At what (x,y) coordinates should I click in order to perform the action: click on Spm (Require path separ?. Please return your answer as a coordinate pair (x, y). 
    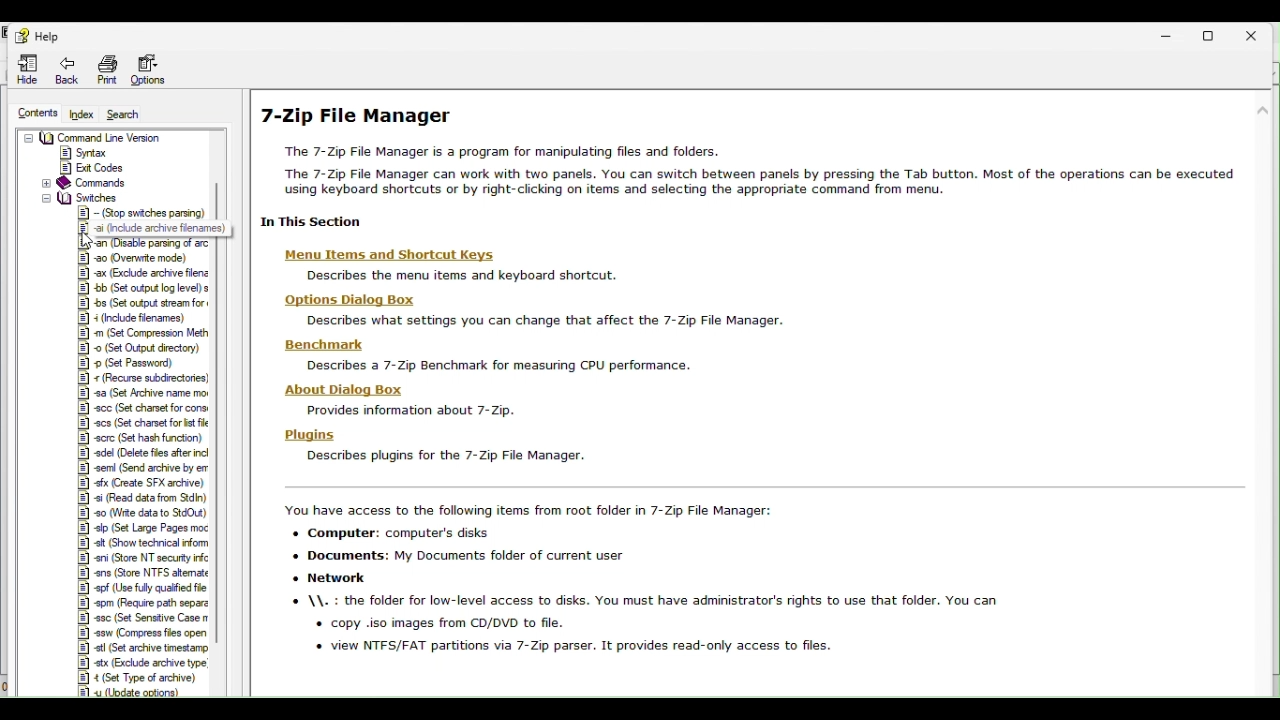
    Looking at the image, I should click on (144, 601).